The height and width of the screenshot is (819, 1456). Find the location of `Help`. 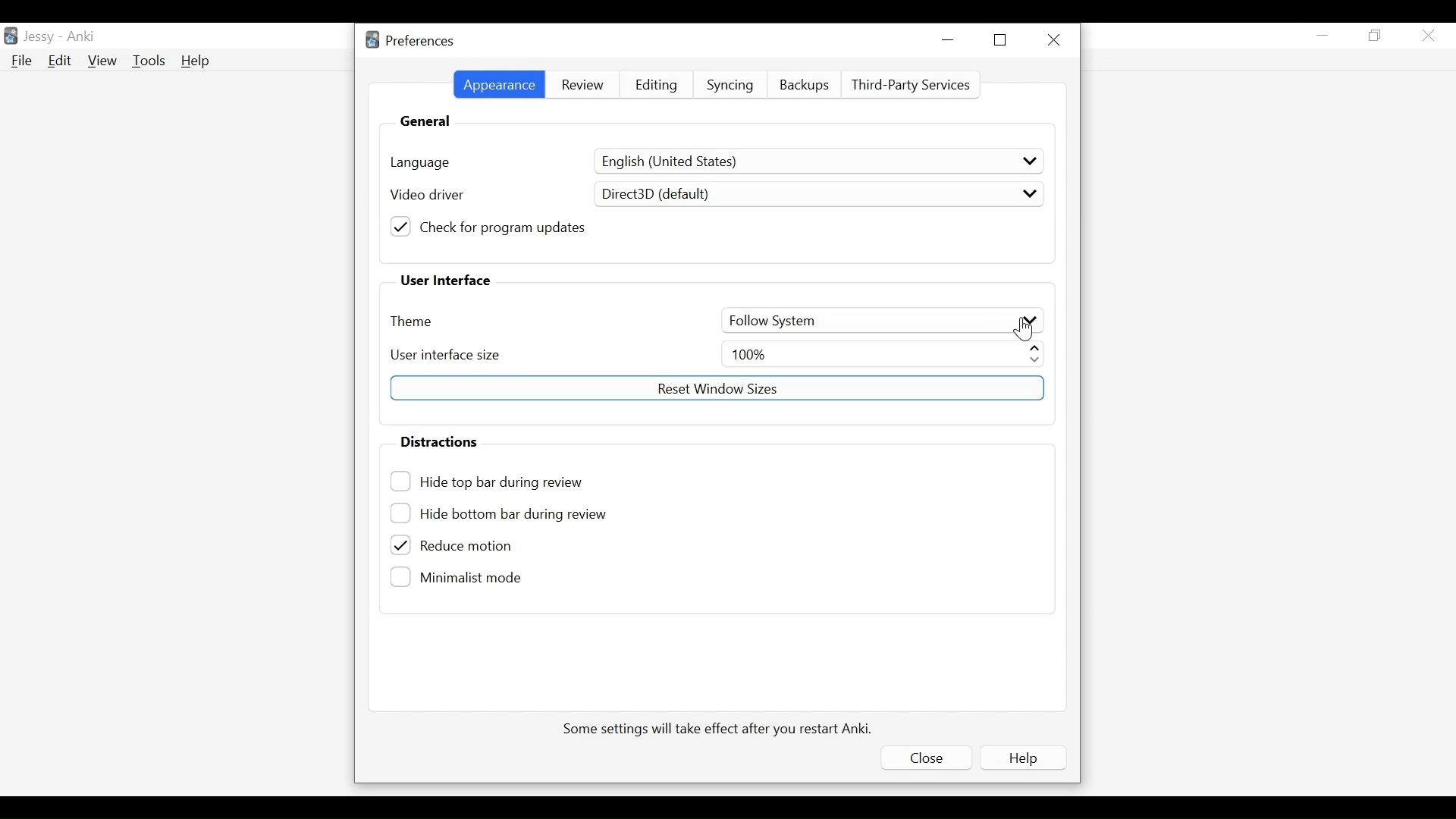

Help is located at coordinates (197, 61).